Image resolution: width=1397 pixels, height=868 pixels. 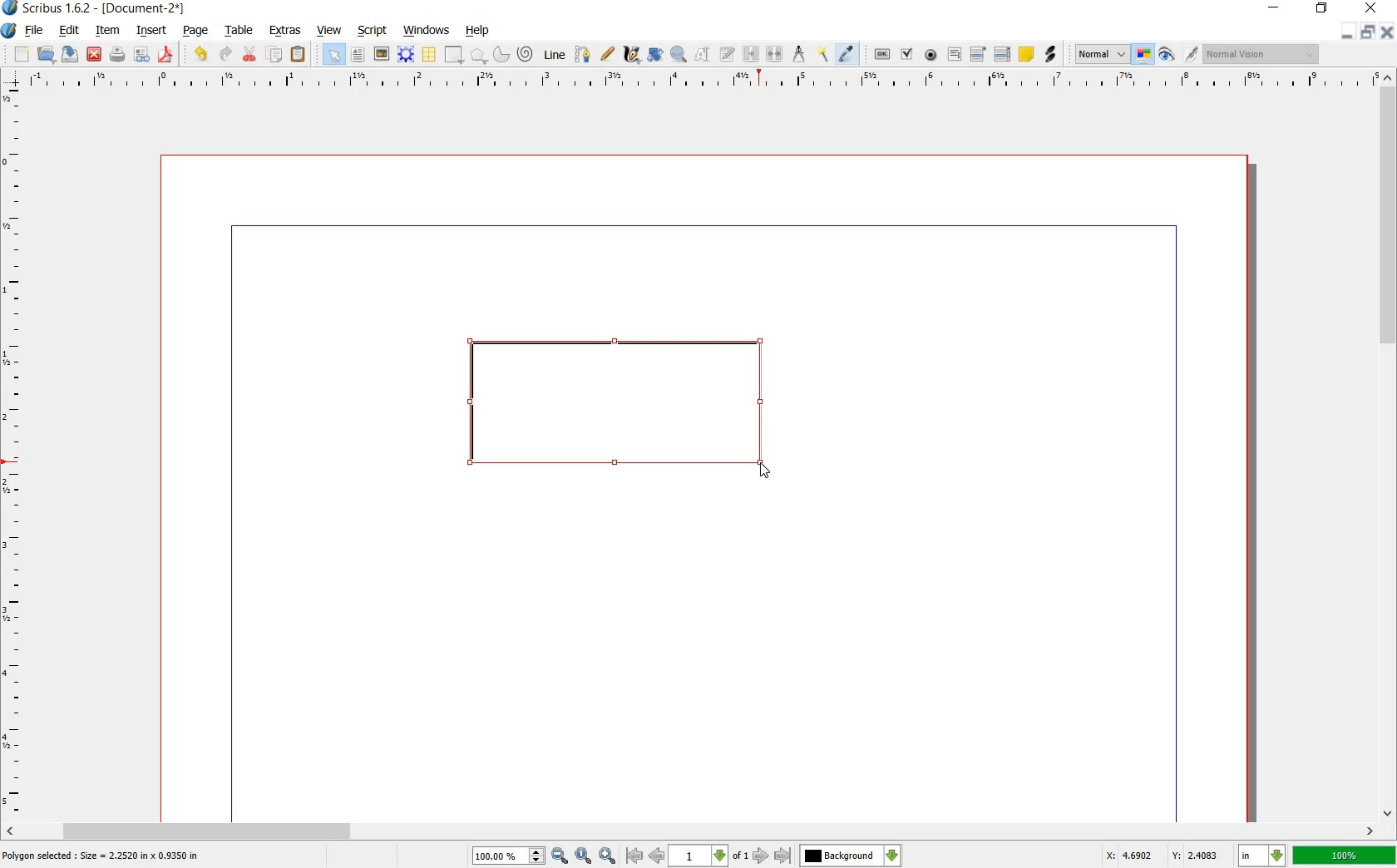 What do you see at coordinates (782, 856) in the screenshot?
I see `go to last page` at bounding box center [782, 856].